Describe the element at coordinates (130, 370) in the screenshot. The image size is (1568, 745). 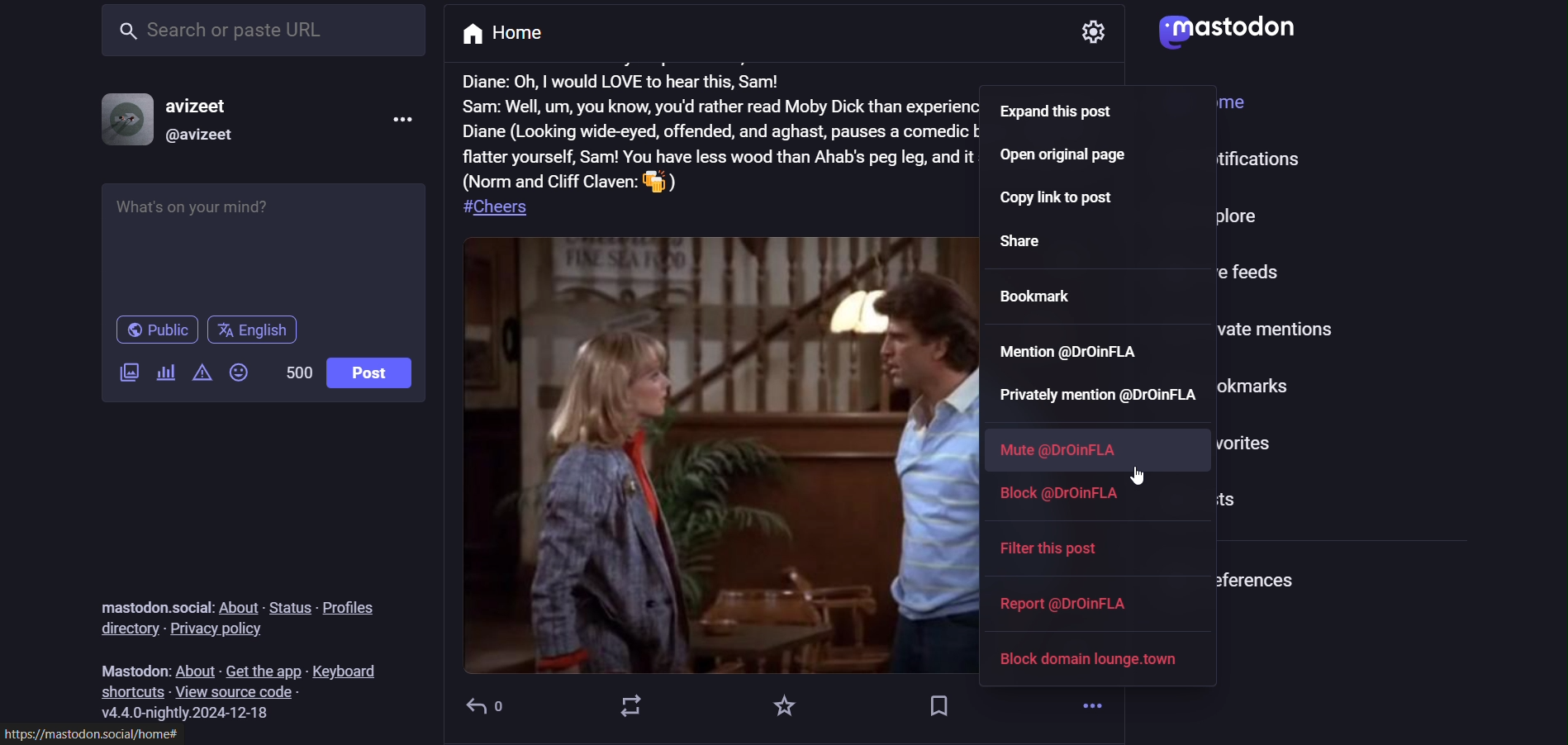
I see `add image` at that location.